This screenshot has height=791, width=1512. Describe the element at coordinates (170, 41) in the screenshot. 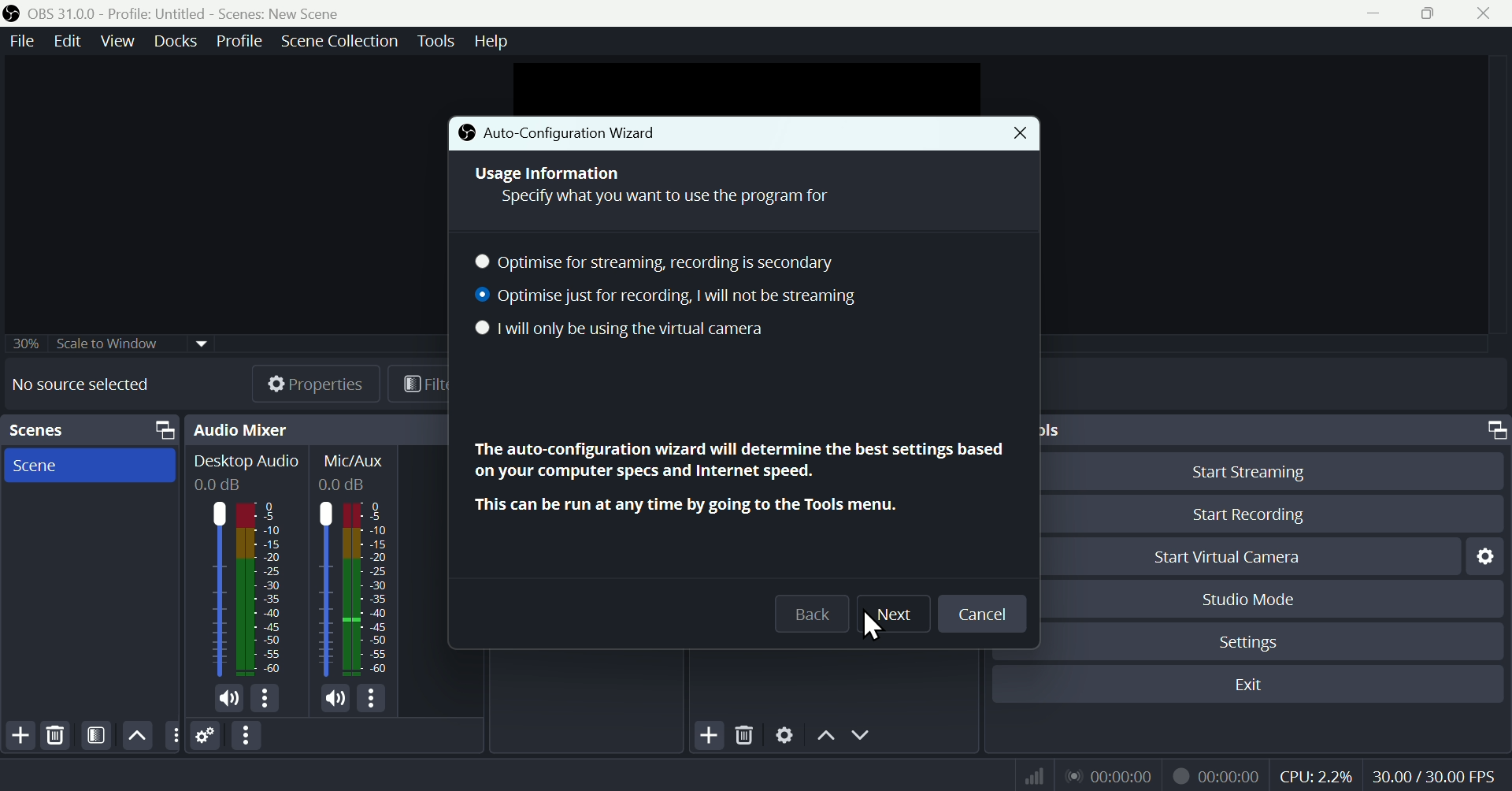

I see `Docks` at that location.